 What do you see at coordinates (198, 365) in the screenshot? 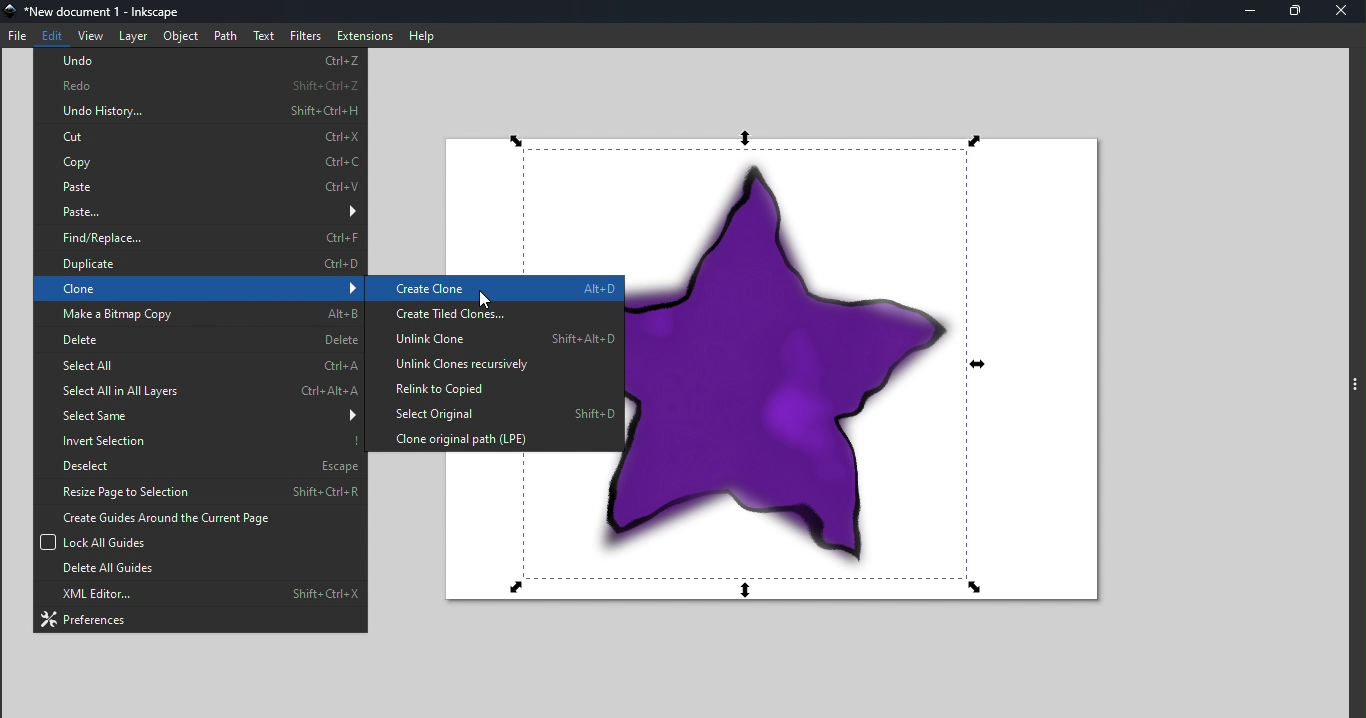
I see `select all` at bounding box center [198, 365].